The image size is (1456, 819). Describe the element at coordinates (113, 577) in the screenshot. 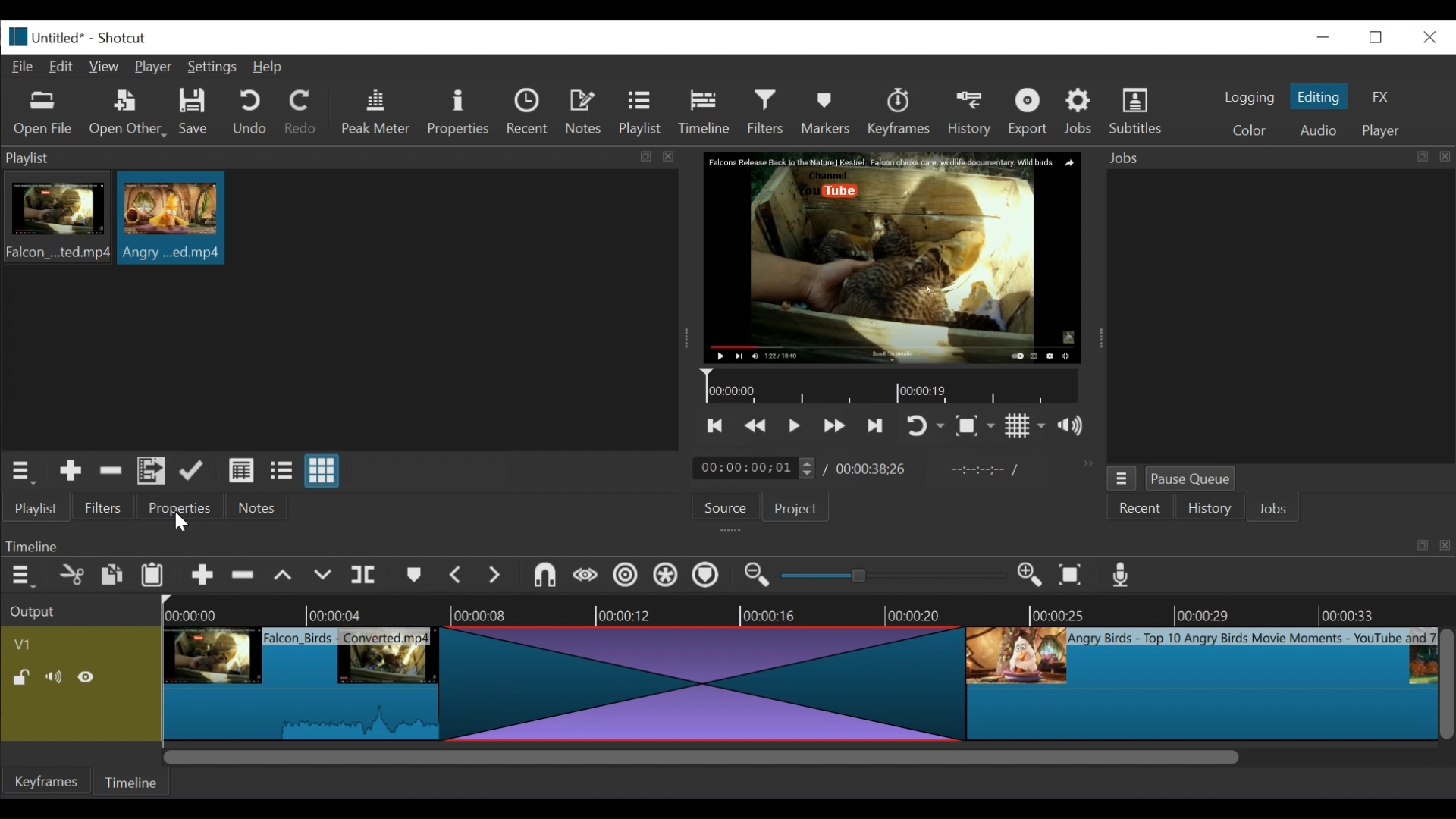

I see `copy` at that location.